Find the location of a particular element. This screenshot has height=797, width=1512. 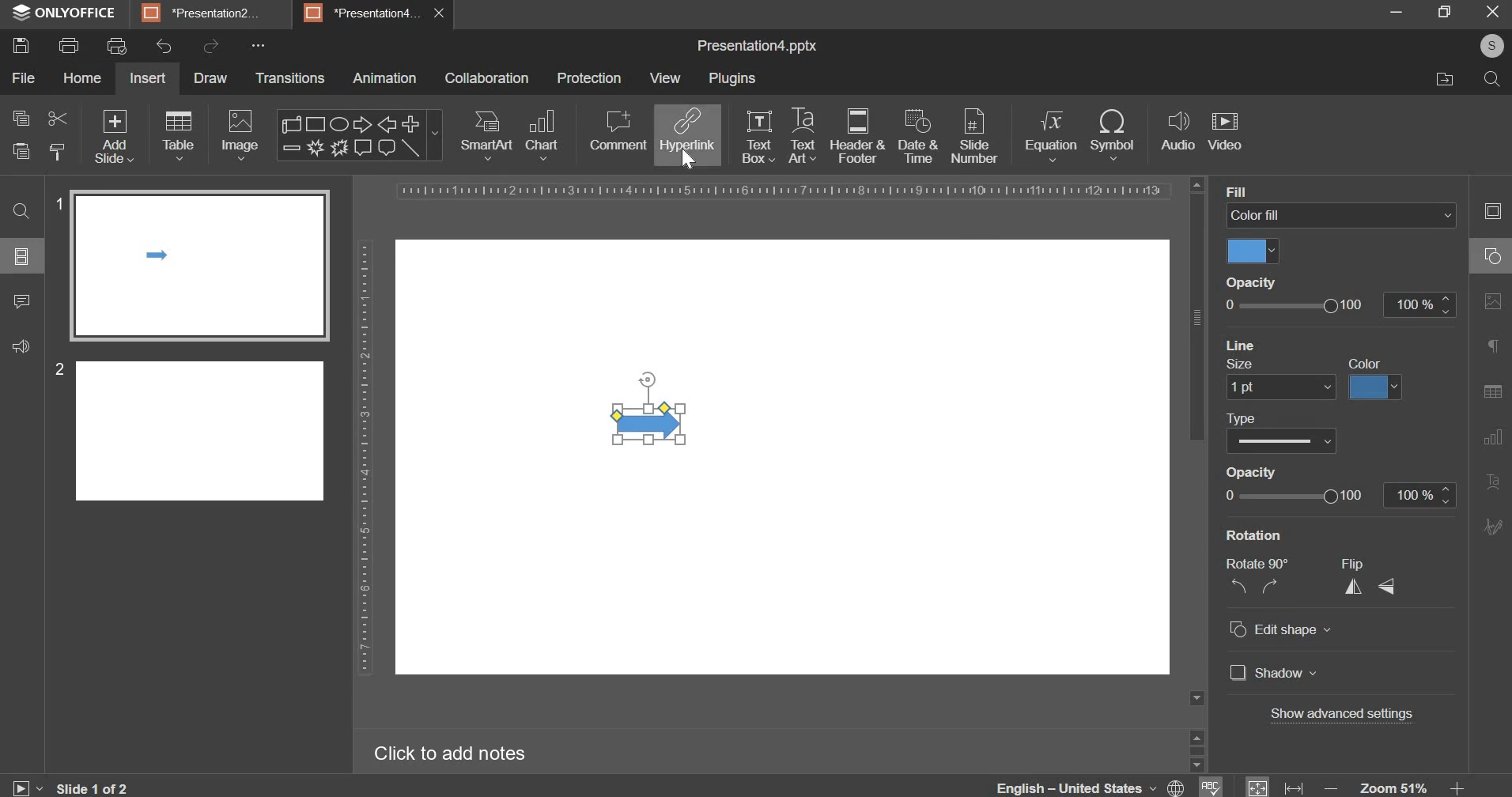

 is located at coordinates (1291, 345).